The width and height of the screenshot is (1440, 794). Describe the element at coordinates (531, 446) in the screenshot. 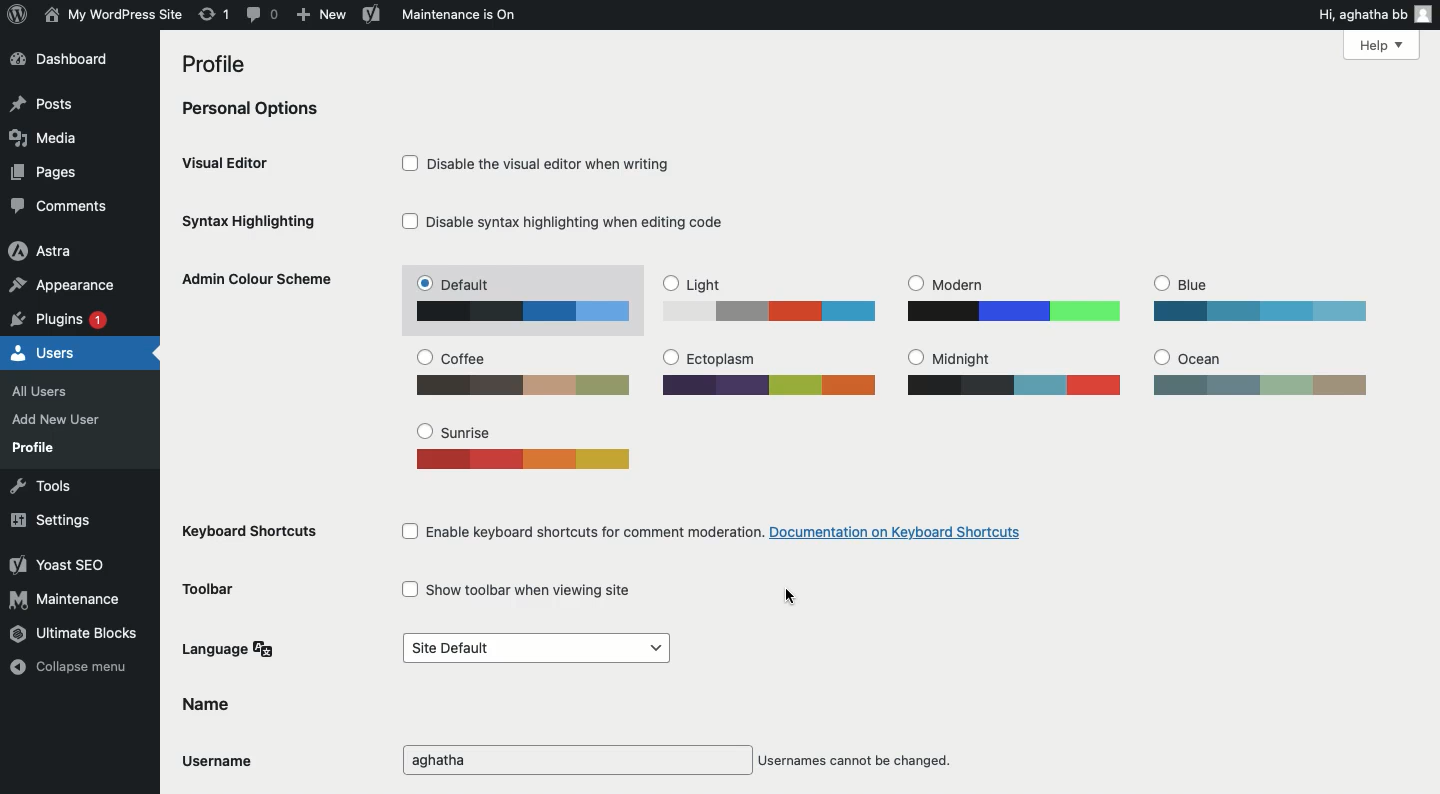

I see `Sunrise` at that location.